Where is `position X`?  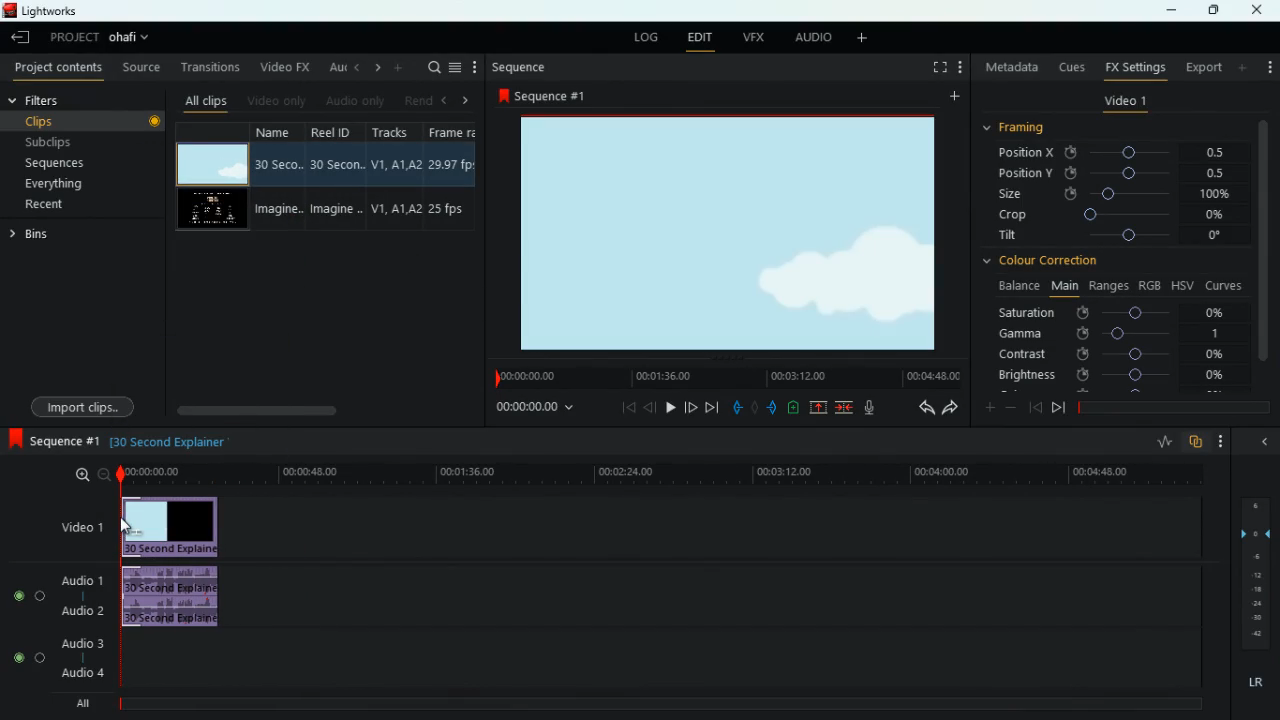 position X is located at coordinates (1109, 153).